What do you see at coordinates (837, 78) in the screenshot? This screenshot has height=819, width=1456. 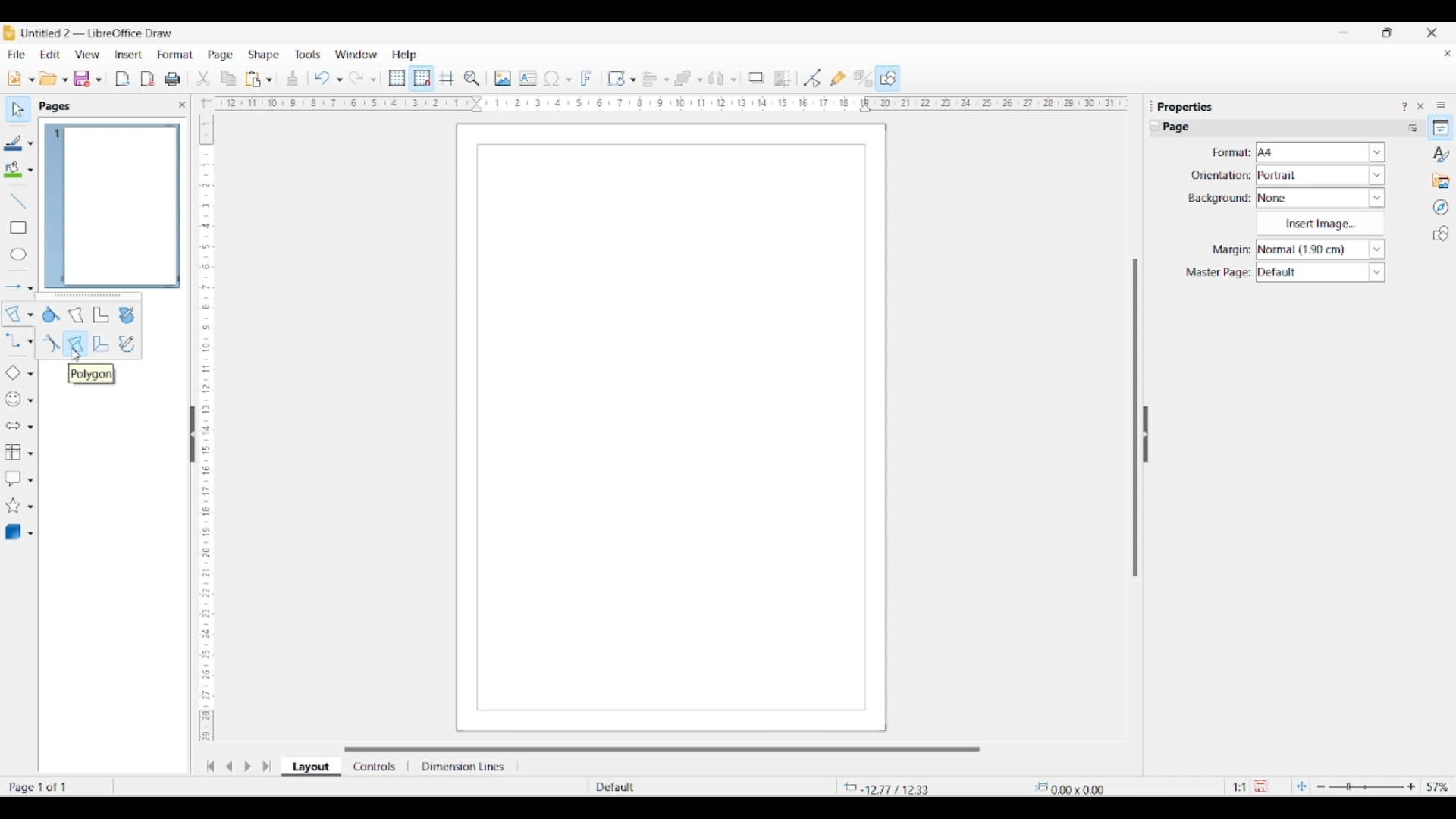 I see `Show gluepoint options` at bounding box center [837, 78].